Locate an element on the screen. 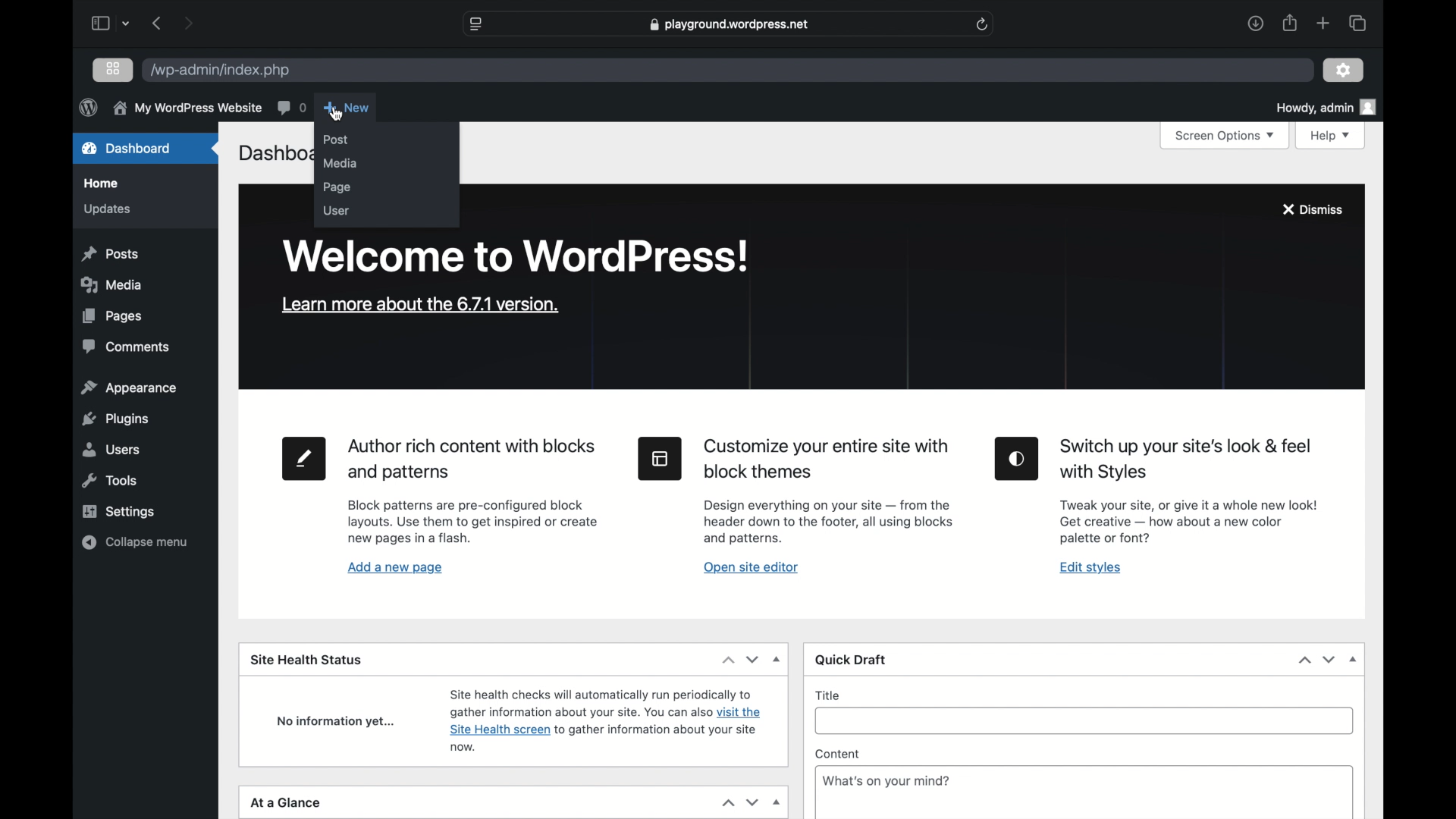  site editor tool information is located at coordinates (829, 522).